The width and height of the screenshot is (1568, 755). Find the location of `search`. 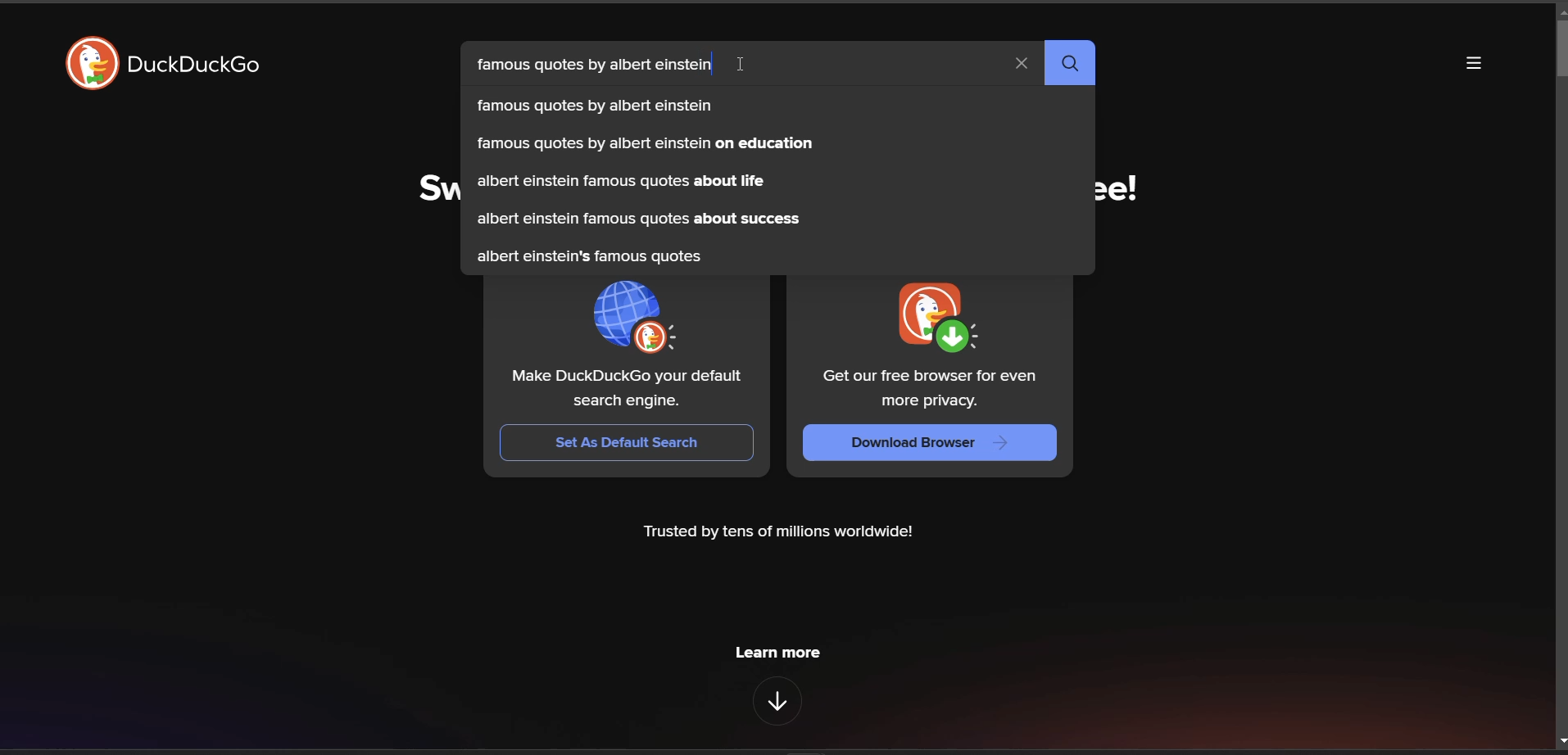

search is located at coordinates (1069, 62).